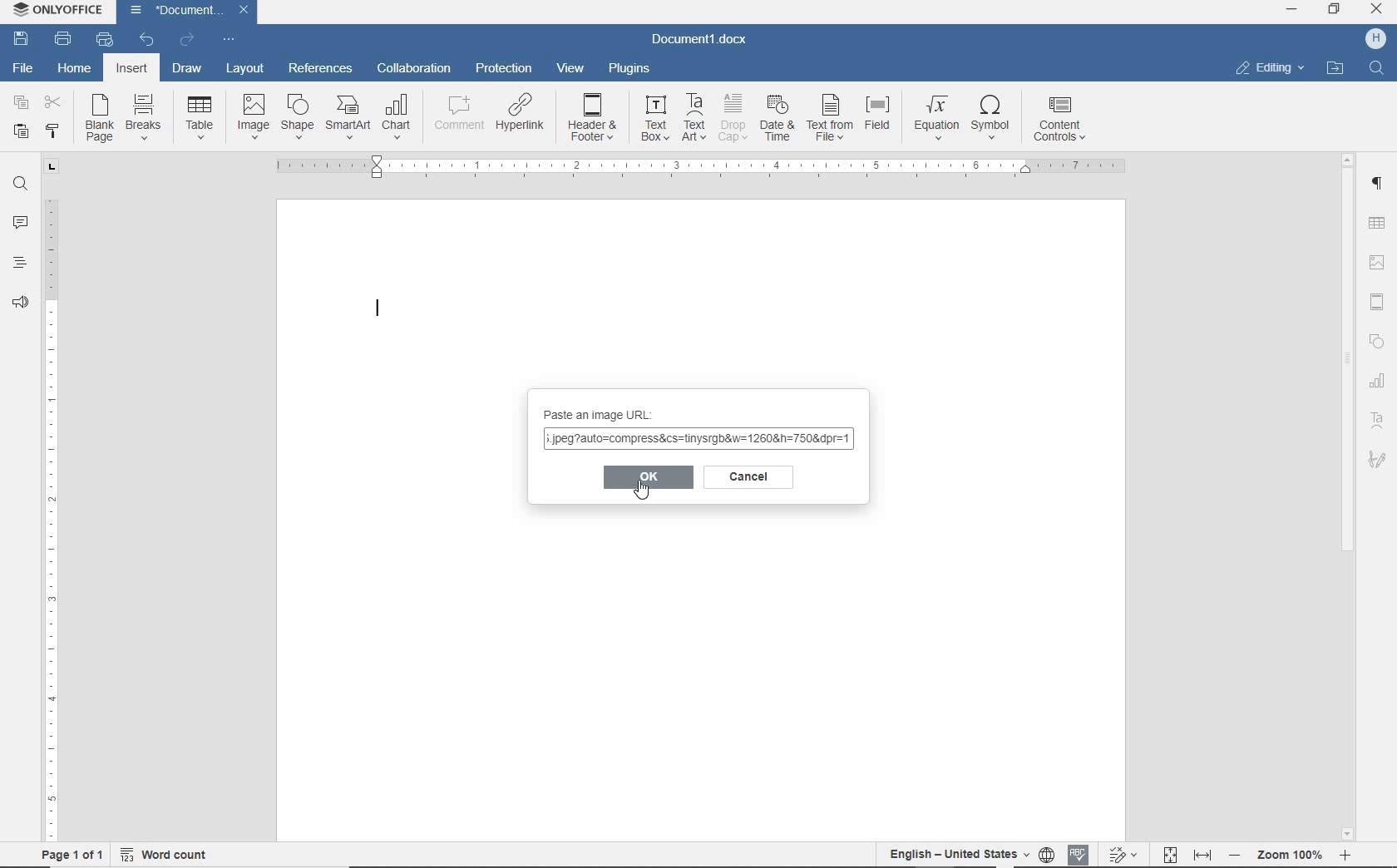 This screenshot has width=1397, height=868. What do you see at coordinates (322, 69) in the screenshot?
I see `references` at bounding box center [322, 69].